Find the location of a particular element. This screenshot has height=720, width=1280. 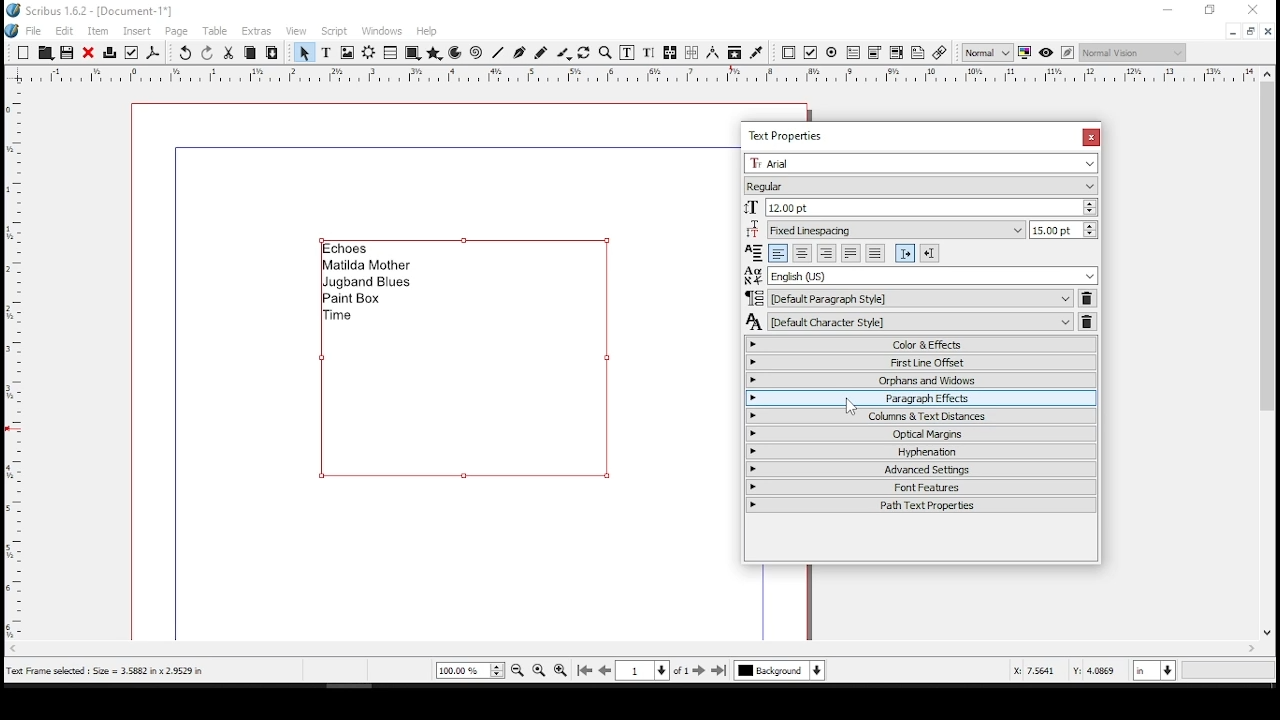

page is located at coordinates (178, 31).